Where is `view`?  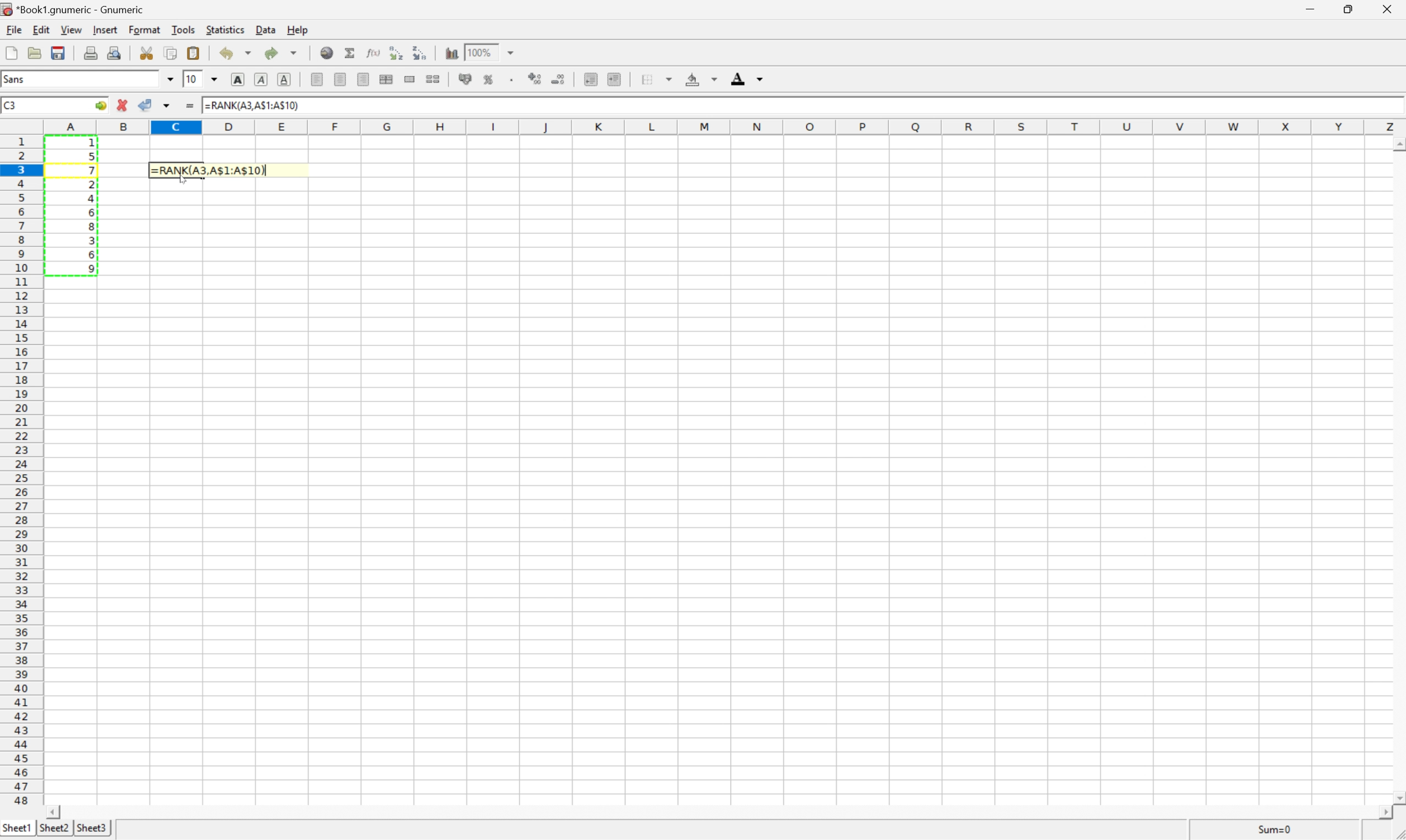 view is located at coordinates (71, 29).